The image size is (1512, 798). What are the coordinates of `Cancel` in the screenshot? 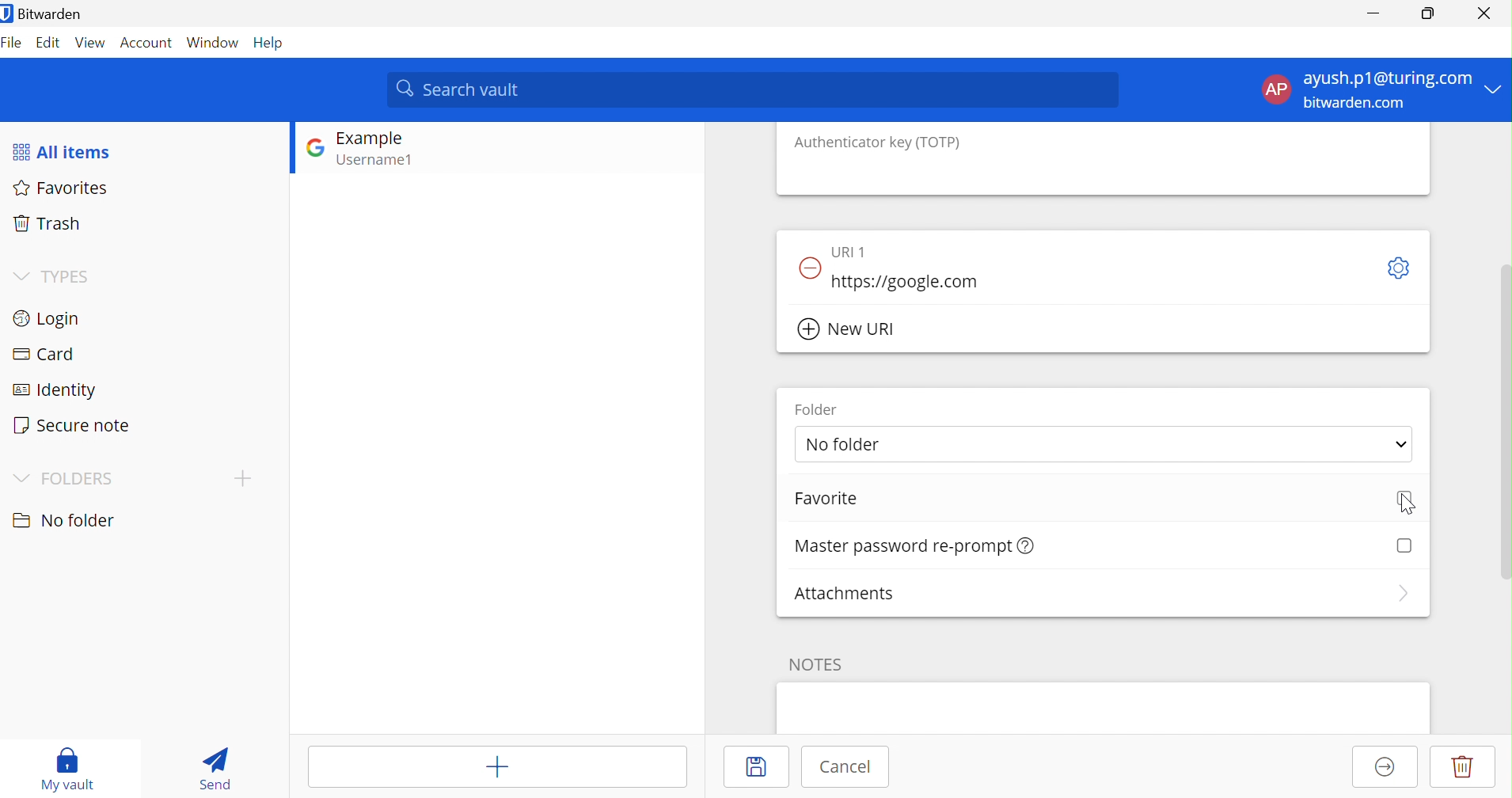 It's located at (845, 768).